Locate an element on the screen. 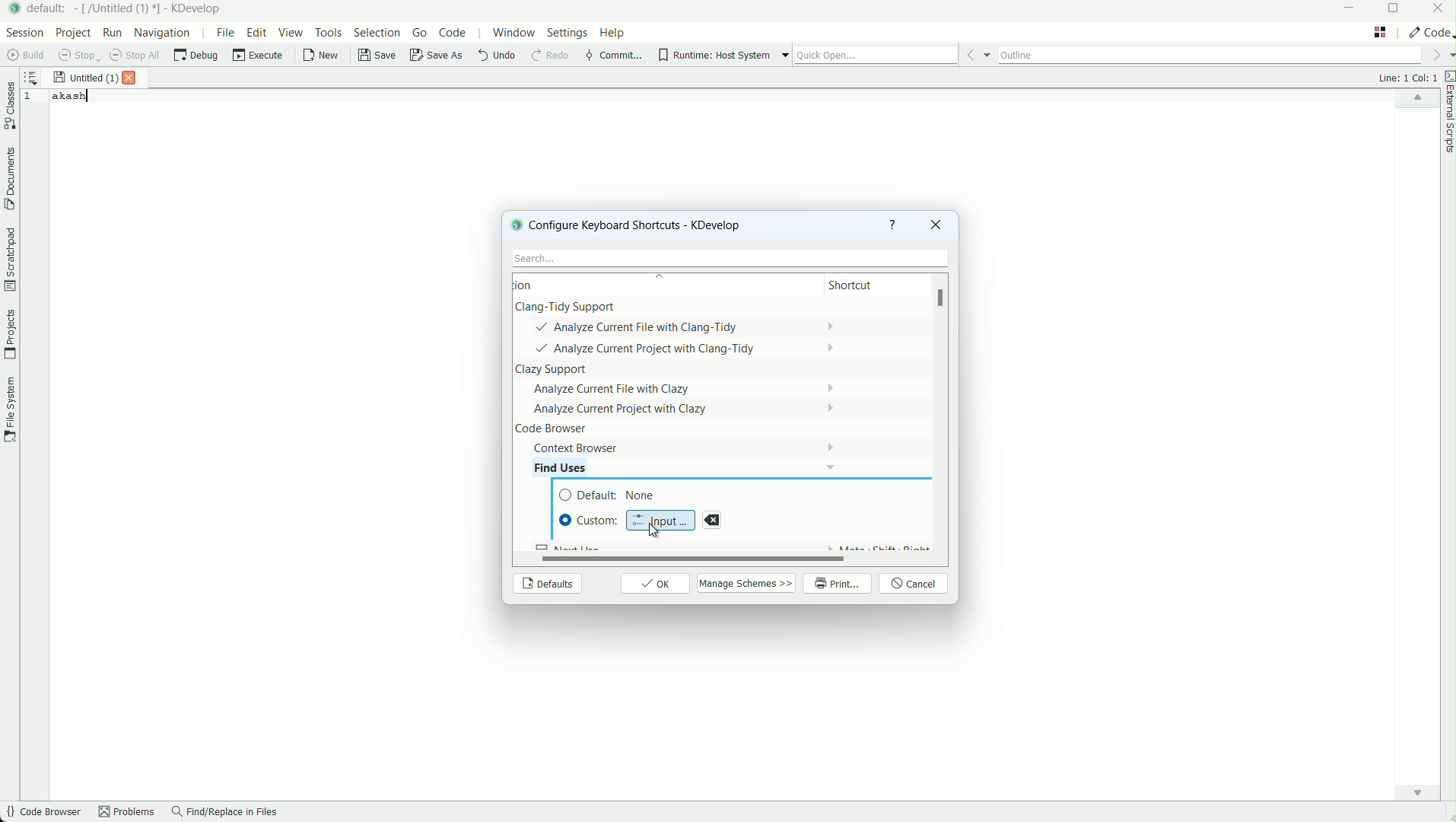 The image size is (1456, 822). cancel is located at coordinates (915, 585).